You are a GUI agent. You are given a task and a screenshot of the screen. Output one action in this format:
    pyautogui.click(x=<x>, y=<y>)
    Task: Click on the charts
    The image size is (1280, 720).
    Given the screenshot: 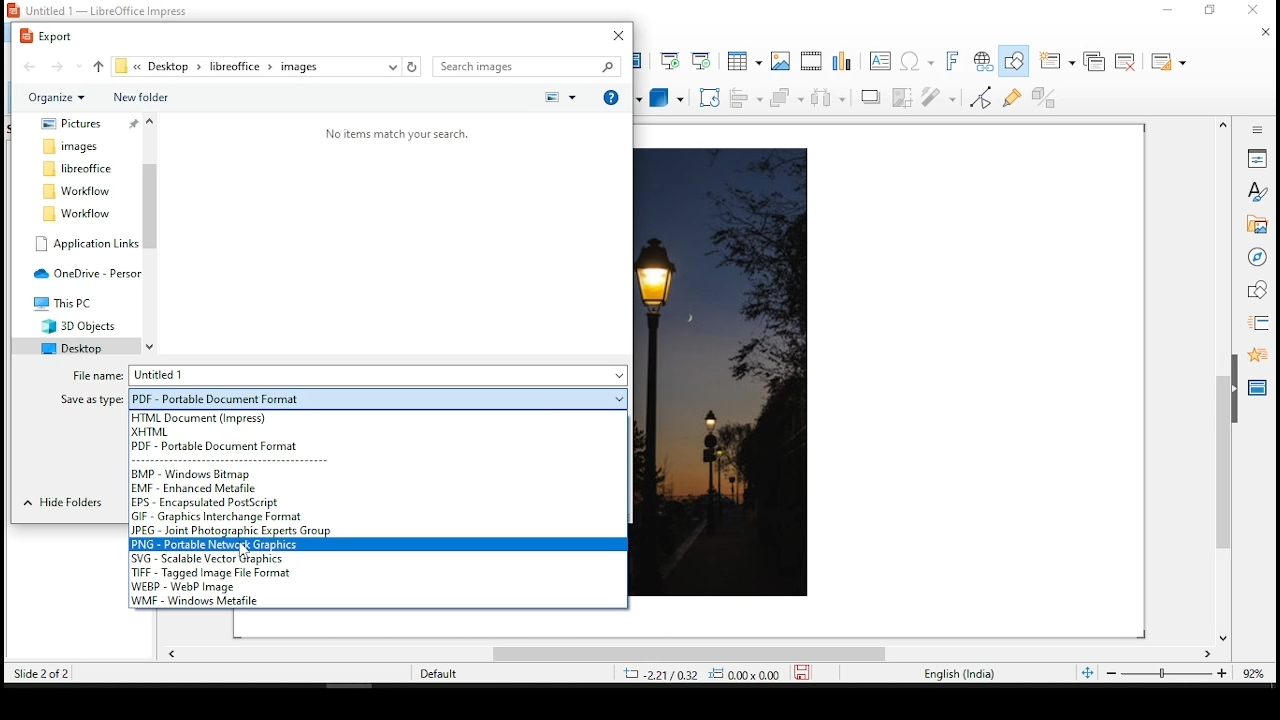 What is the action you would take?
    pyautogui.click(x=847, y=60)
    